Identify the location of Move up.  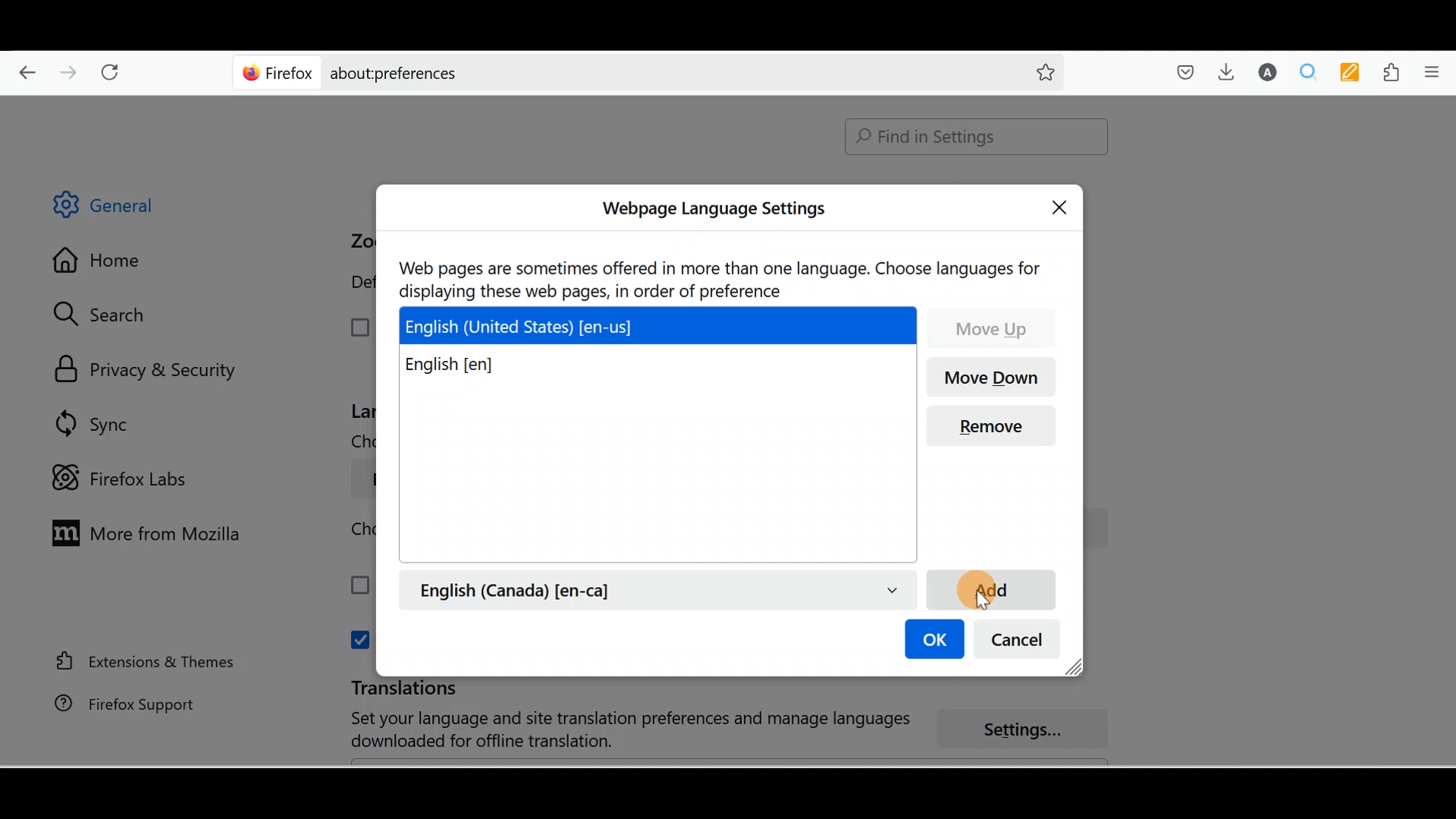
(993, 327).